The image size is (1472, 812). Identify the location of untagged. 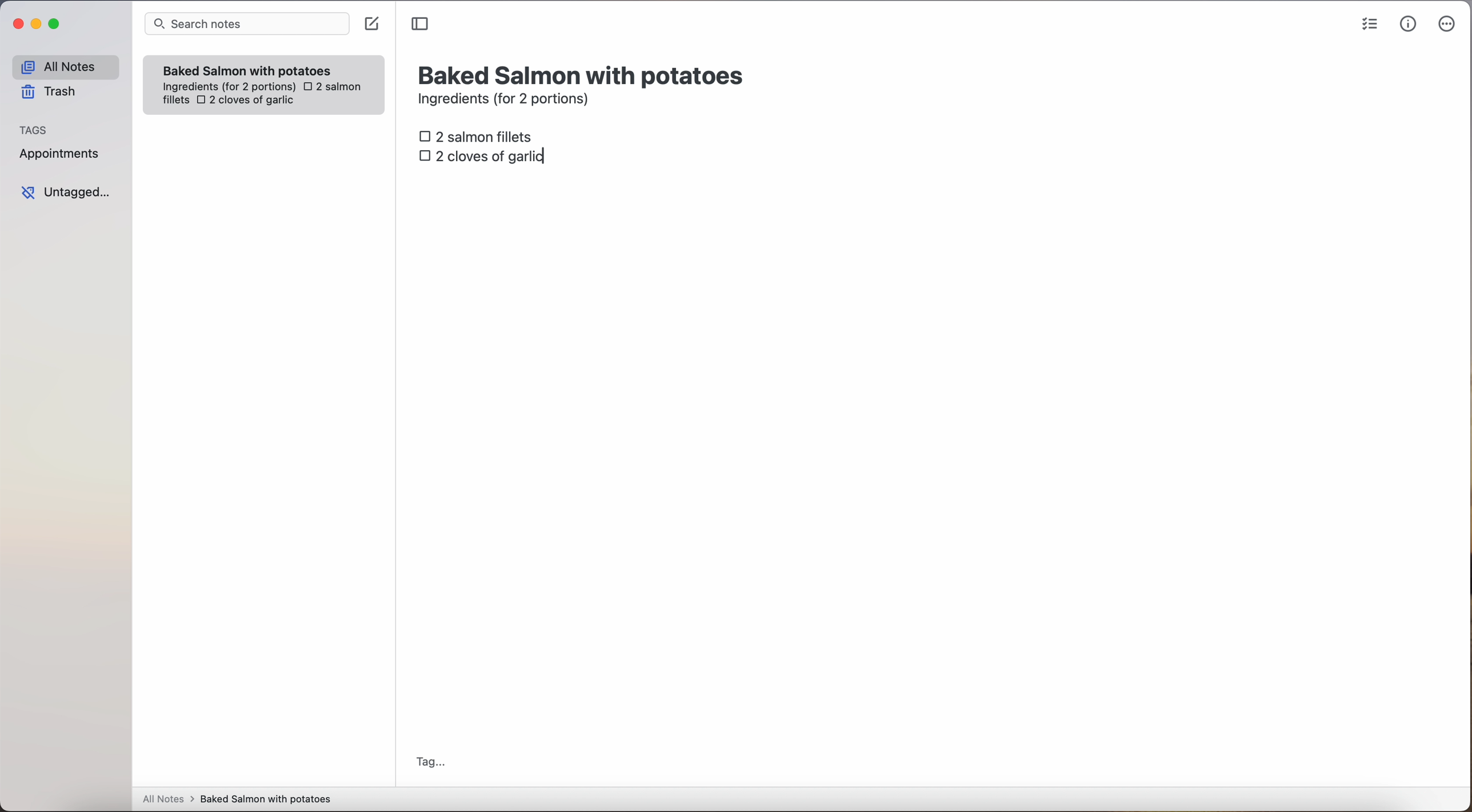
(67, 192).